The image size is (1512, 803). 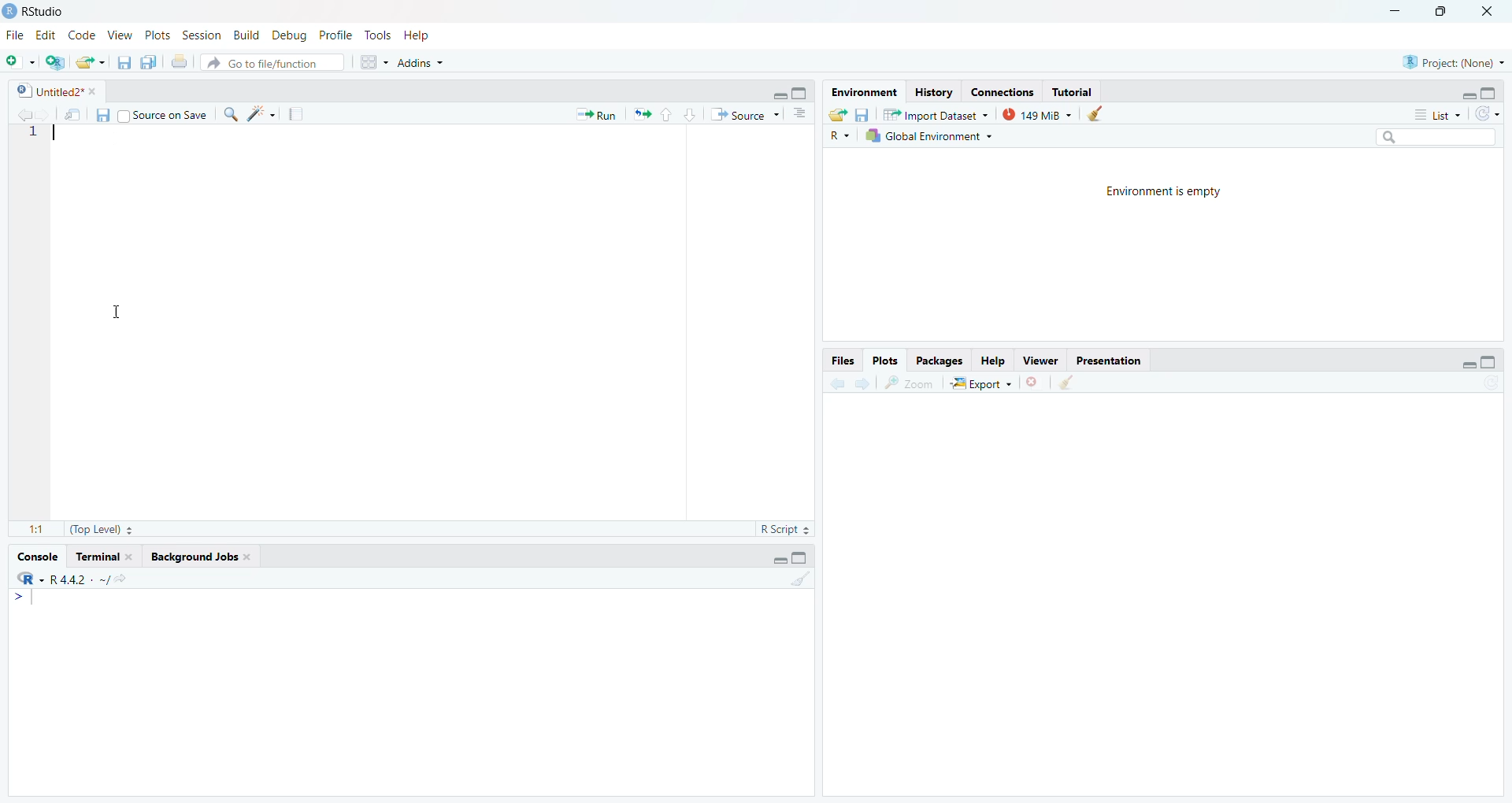 What do you see at coordinates (779, 94) in the screenshot?
I see `Minimize` at bounding box center [779, 94].